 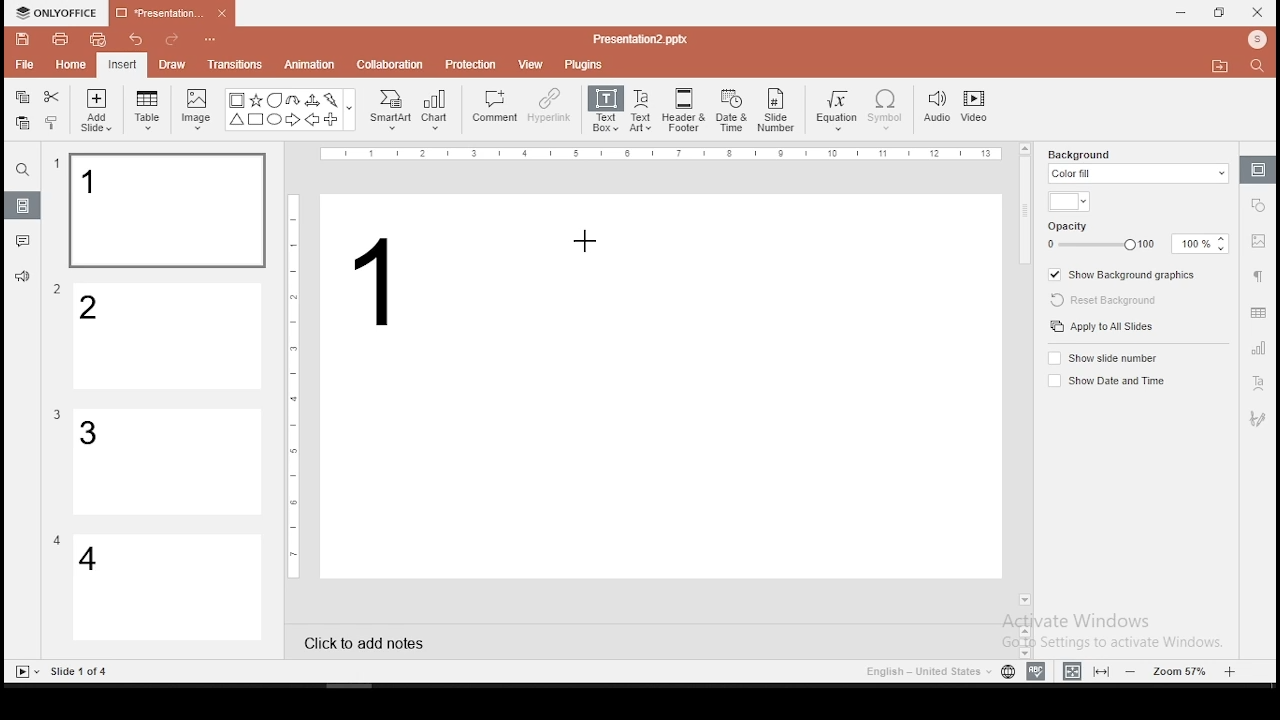 What do you see at coordinates (388, 290) in the screenshot?
I see `text` at bounding box center [388, 290].